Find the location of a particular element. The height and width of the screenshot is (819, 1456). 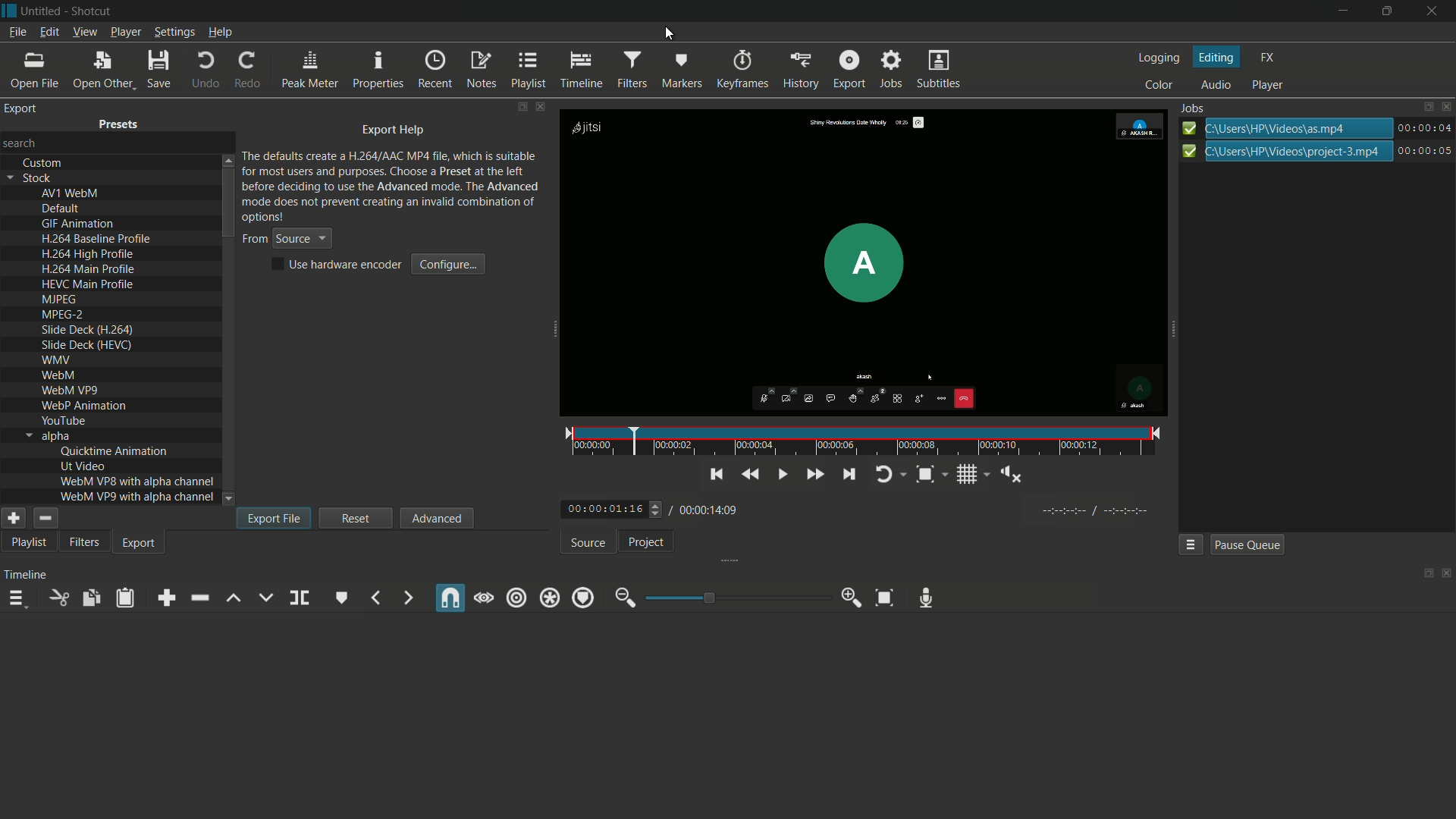

zoom timeline to fit is located at coordinates (885, 598).